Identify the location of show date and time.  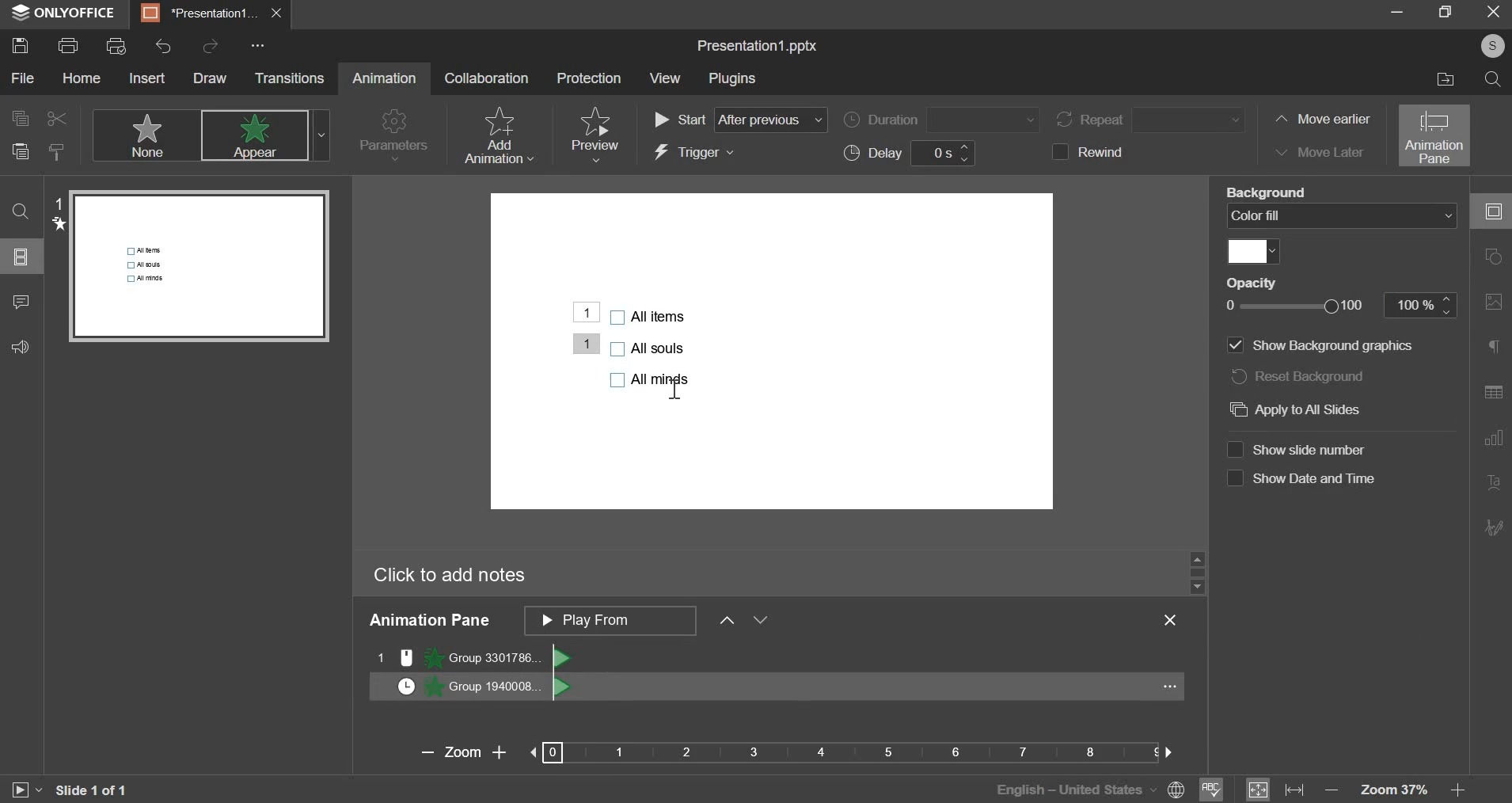
(1301, 479).